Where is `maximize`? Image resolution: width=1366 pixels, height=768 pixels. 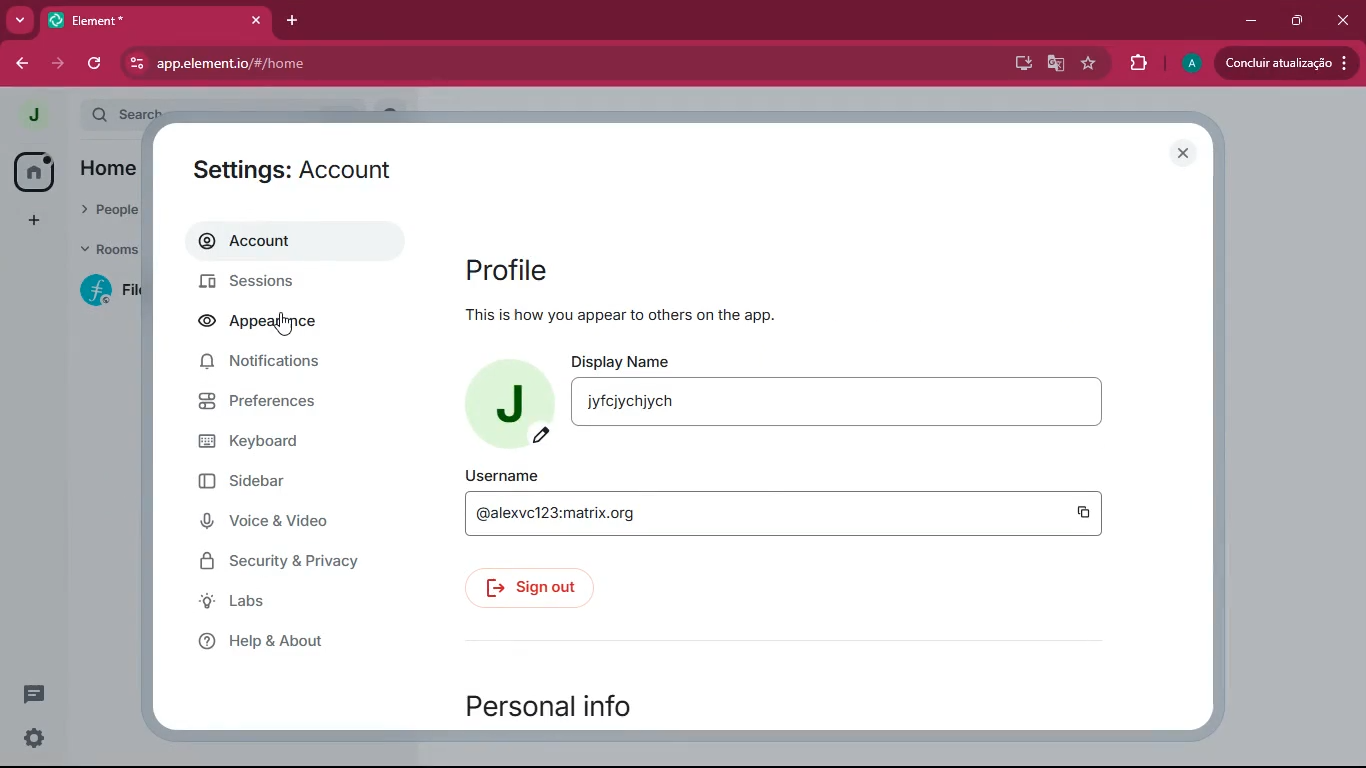 maximize is located at coordinates (1299, 20).